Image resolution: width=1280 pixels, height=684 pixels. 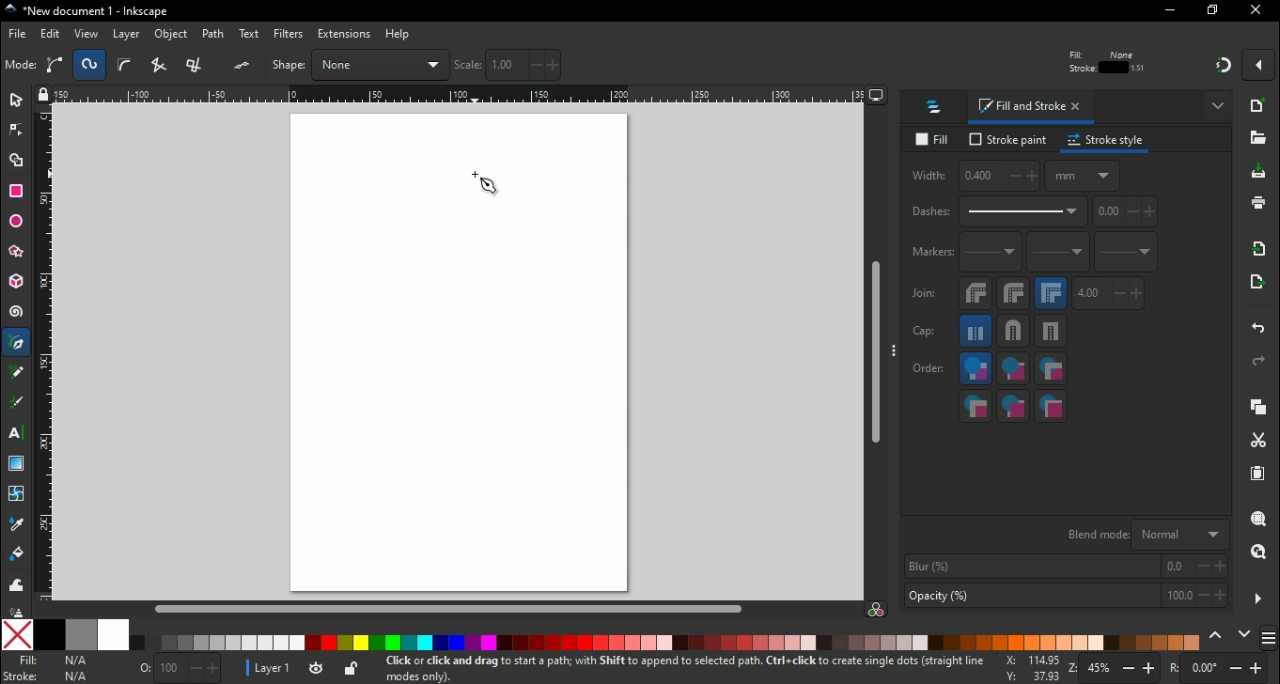 What do you see at coordinates (977, 334) in the screenshot?
I see `butt` at bounding box center [977, 334].